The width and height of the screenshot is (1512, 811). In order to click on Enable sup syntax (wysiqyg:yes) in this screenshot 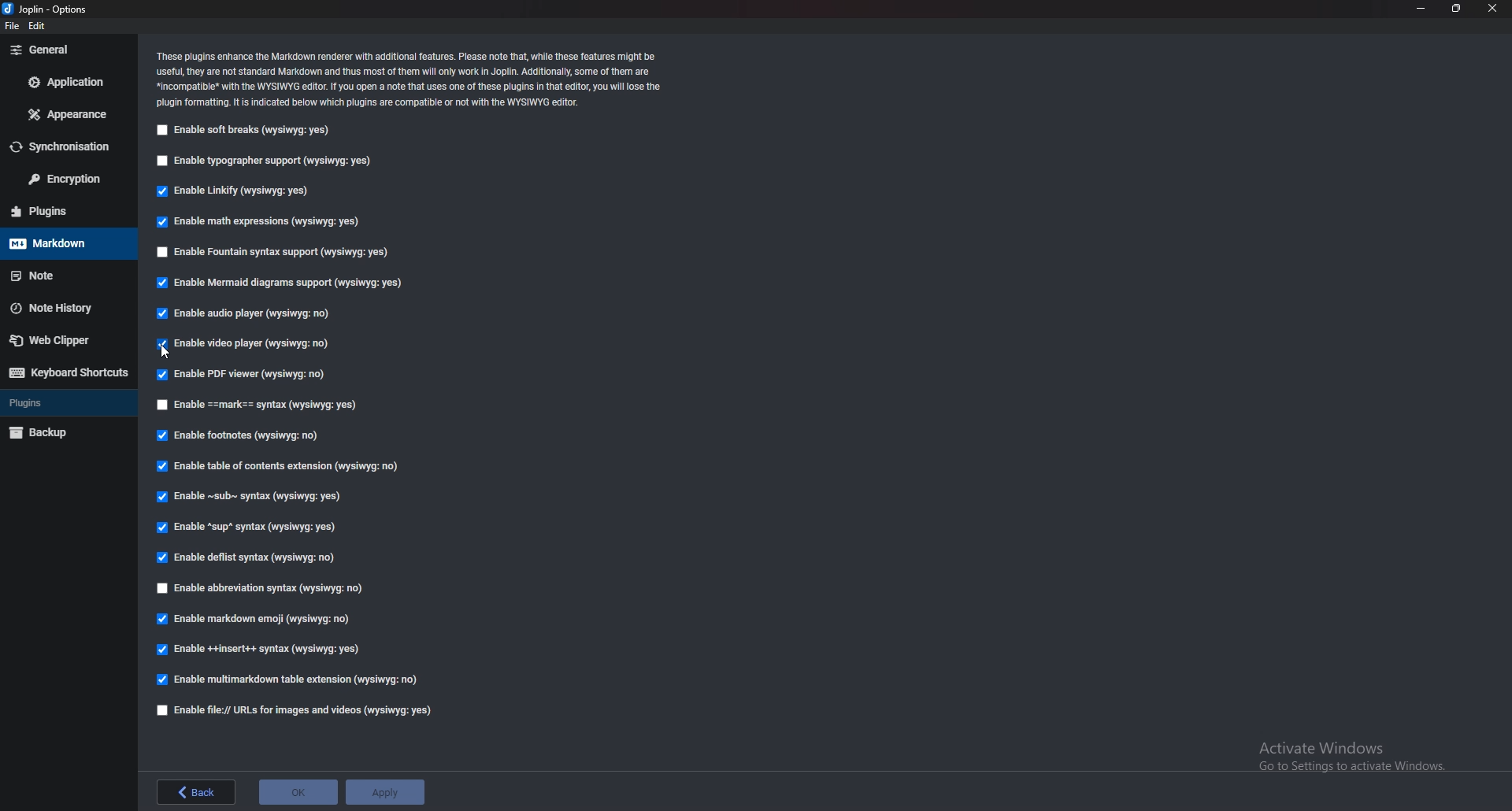, I will do `click(249, 530)`.